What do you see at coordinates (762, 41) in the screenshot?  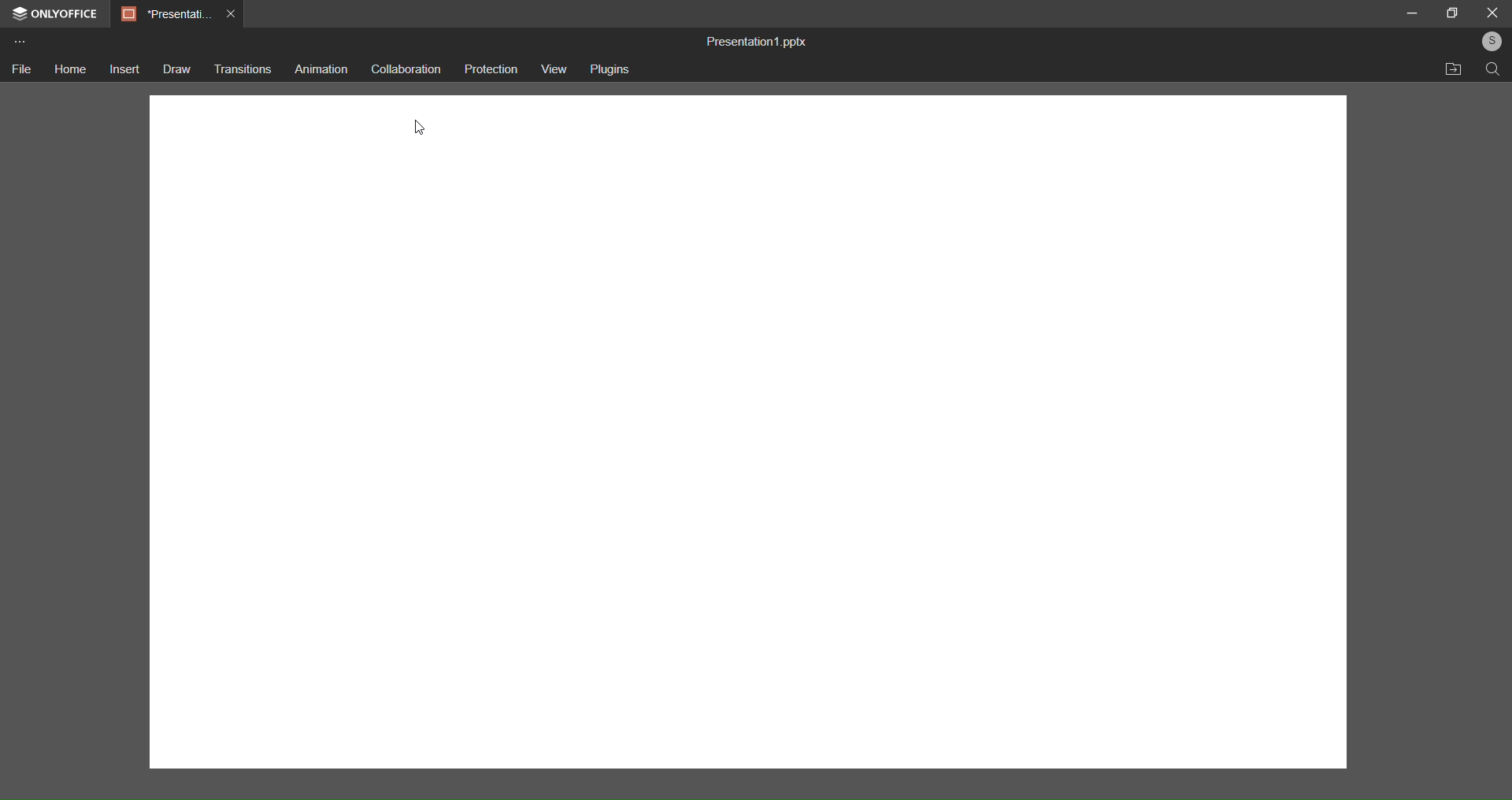 I see `Presentation. pptx` at bounding box center [762, 41].